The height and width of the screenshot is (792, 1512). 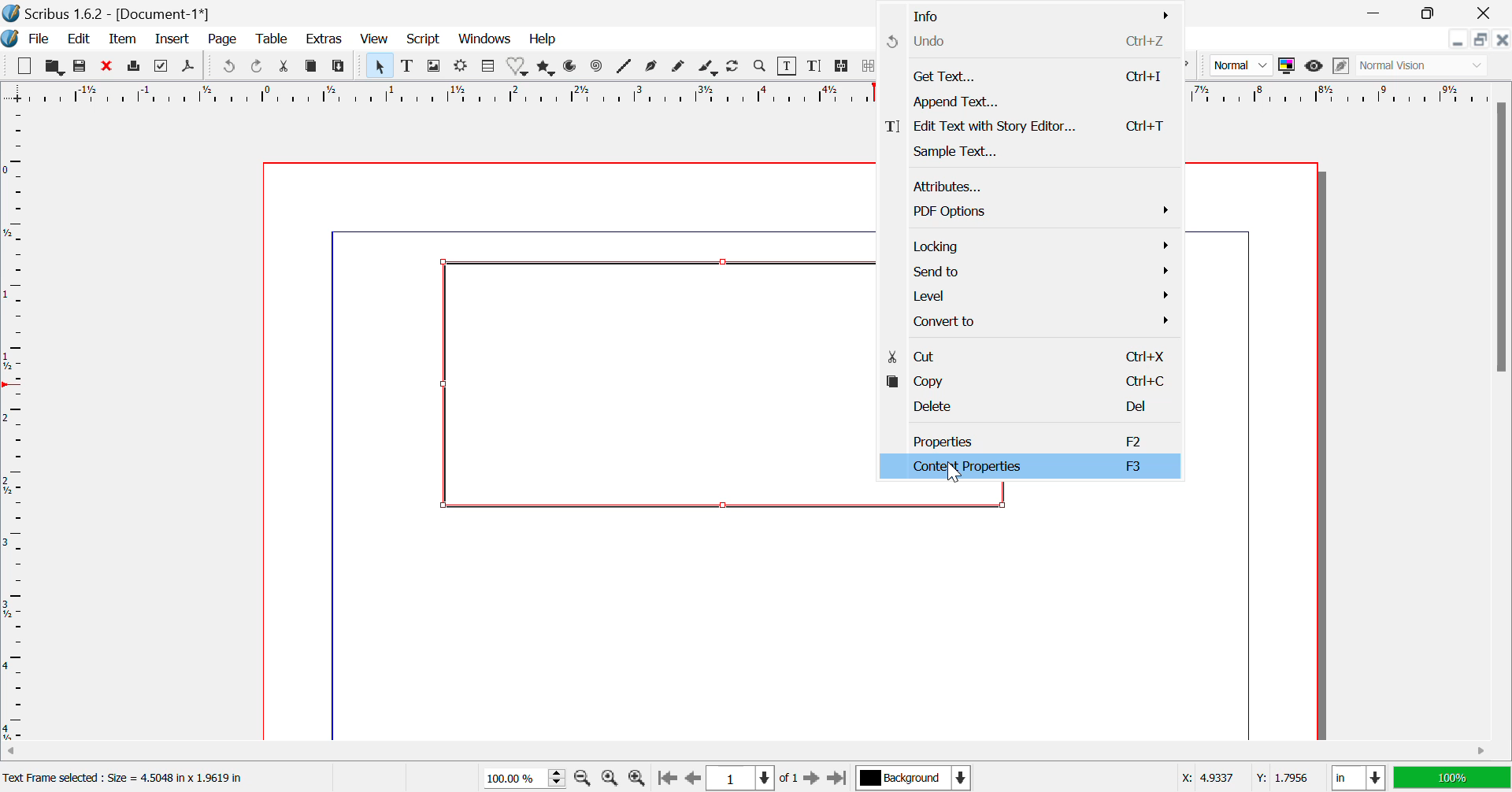 I want to click on New, so click(x=24, y=65).